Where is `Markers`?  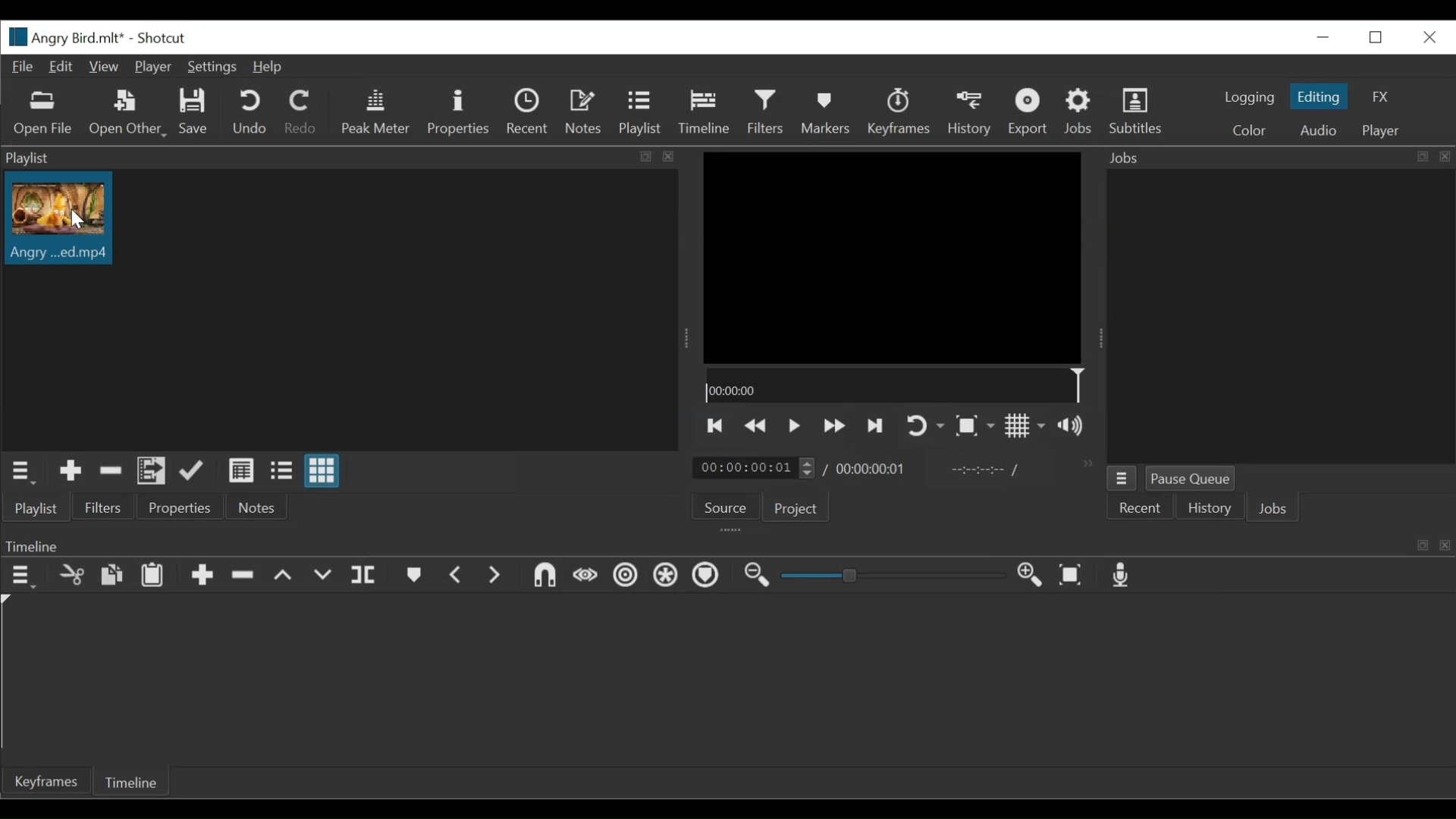 Markers is located at coordinates (829, 114).